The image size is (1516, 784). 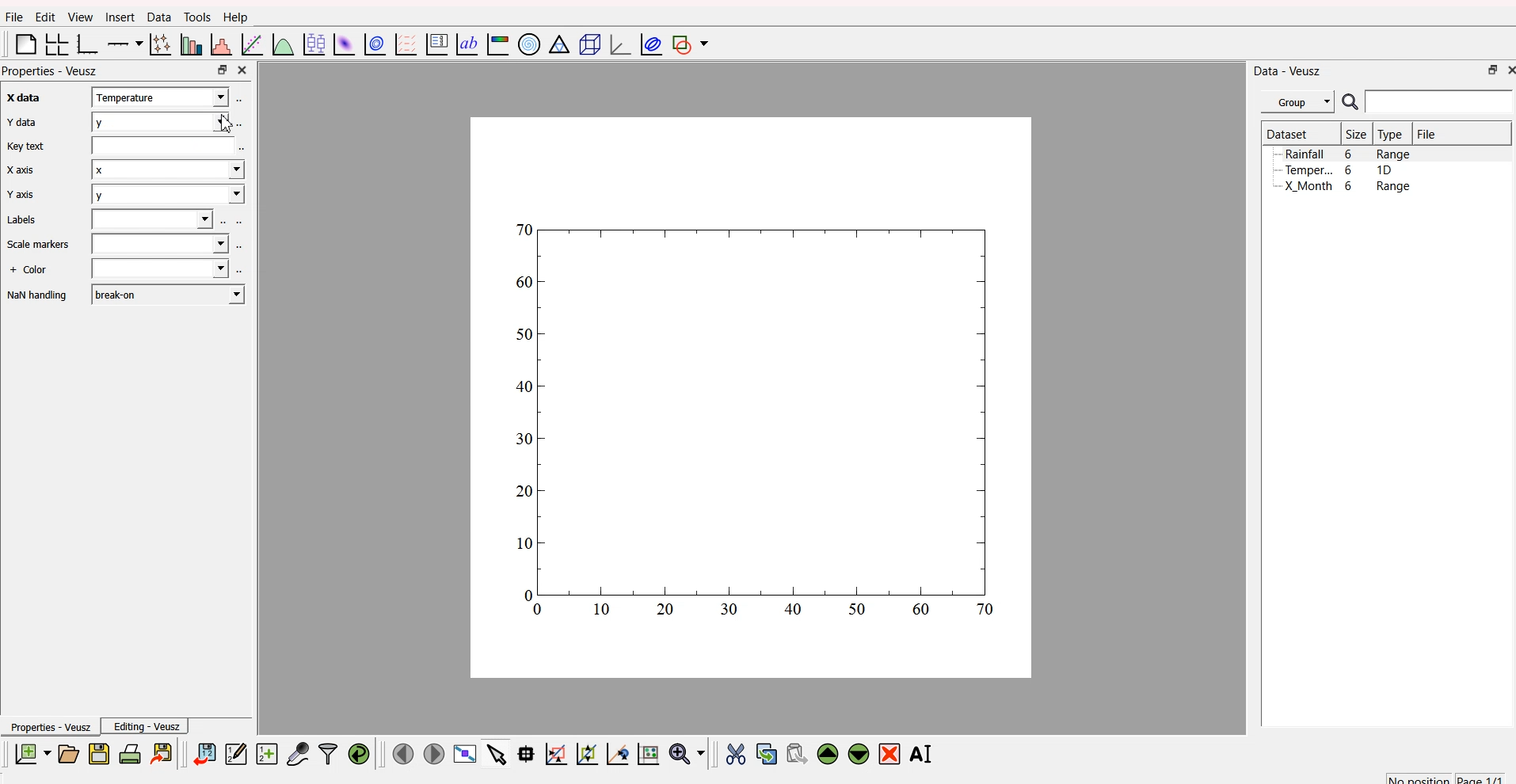 I want to click on zoom menu, so click(x=688, y=752).